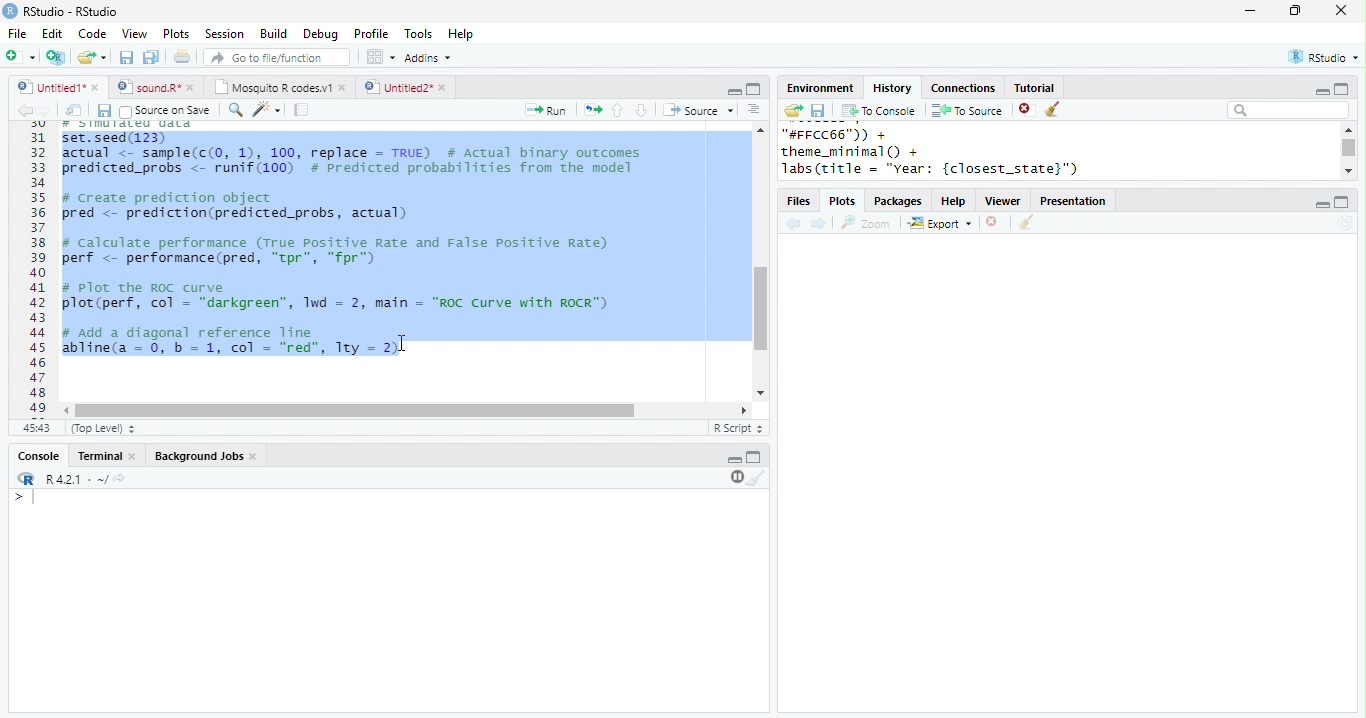  I want to click on scroll up, so click(759, 129).